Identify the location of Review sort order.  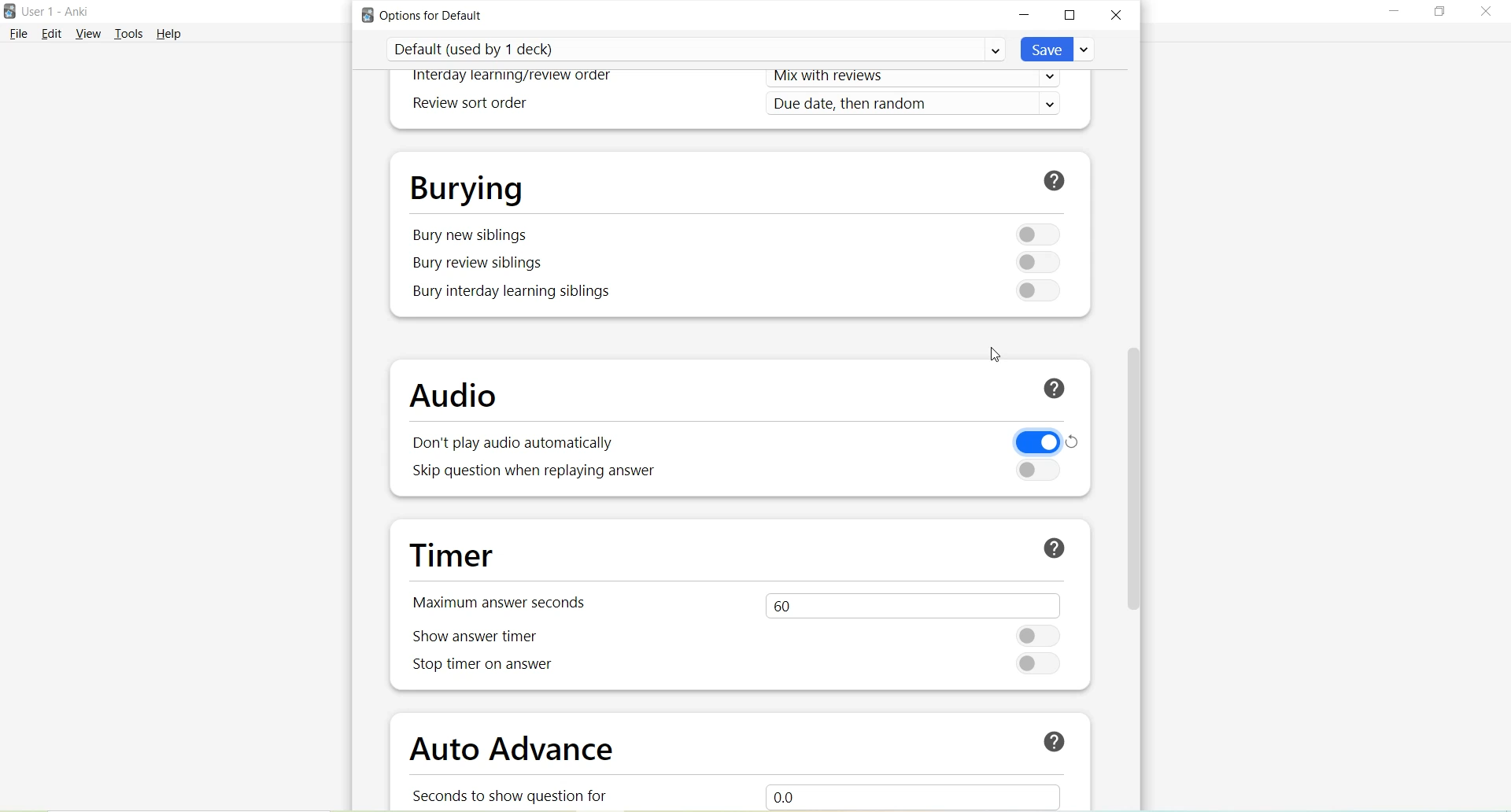
(467, 104).